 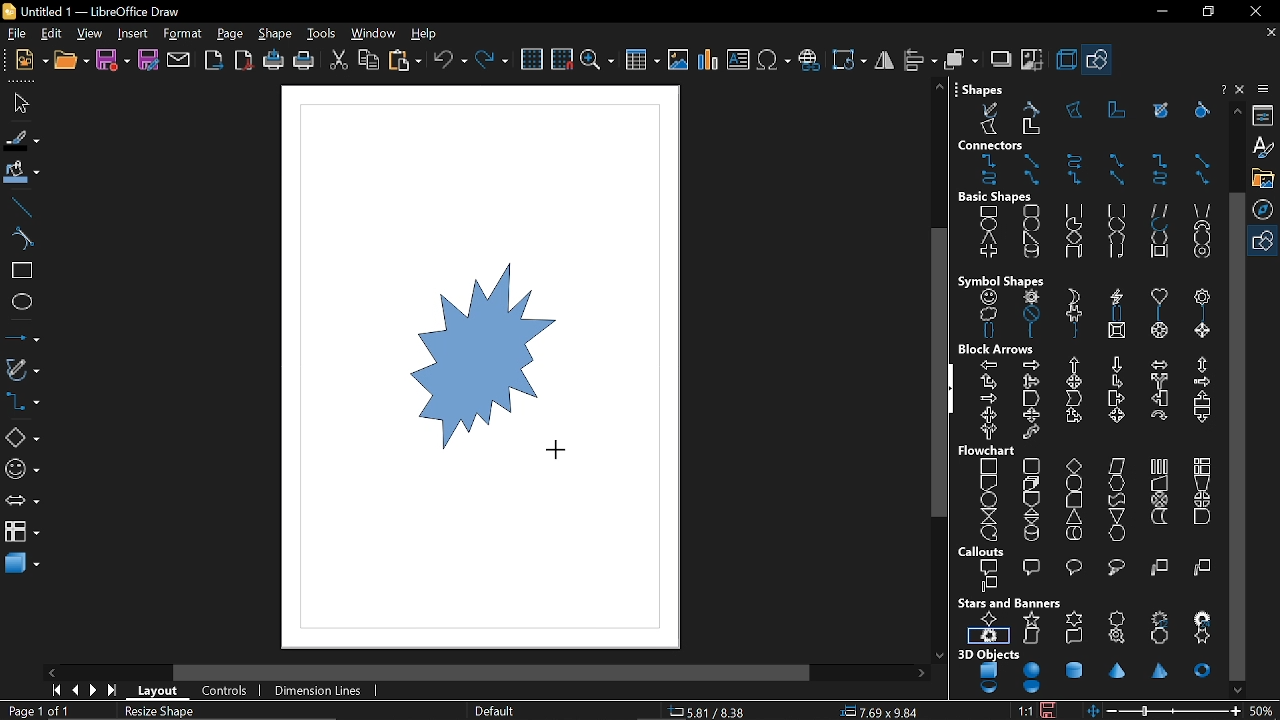 I want to click on change zoom, so click(x=1165, y=711).